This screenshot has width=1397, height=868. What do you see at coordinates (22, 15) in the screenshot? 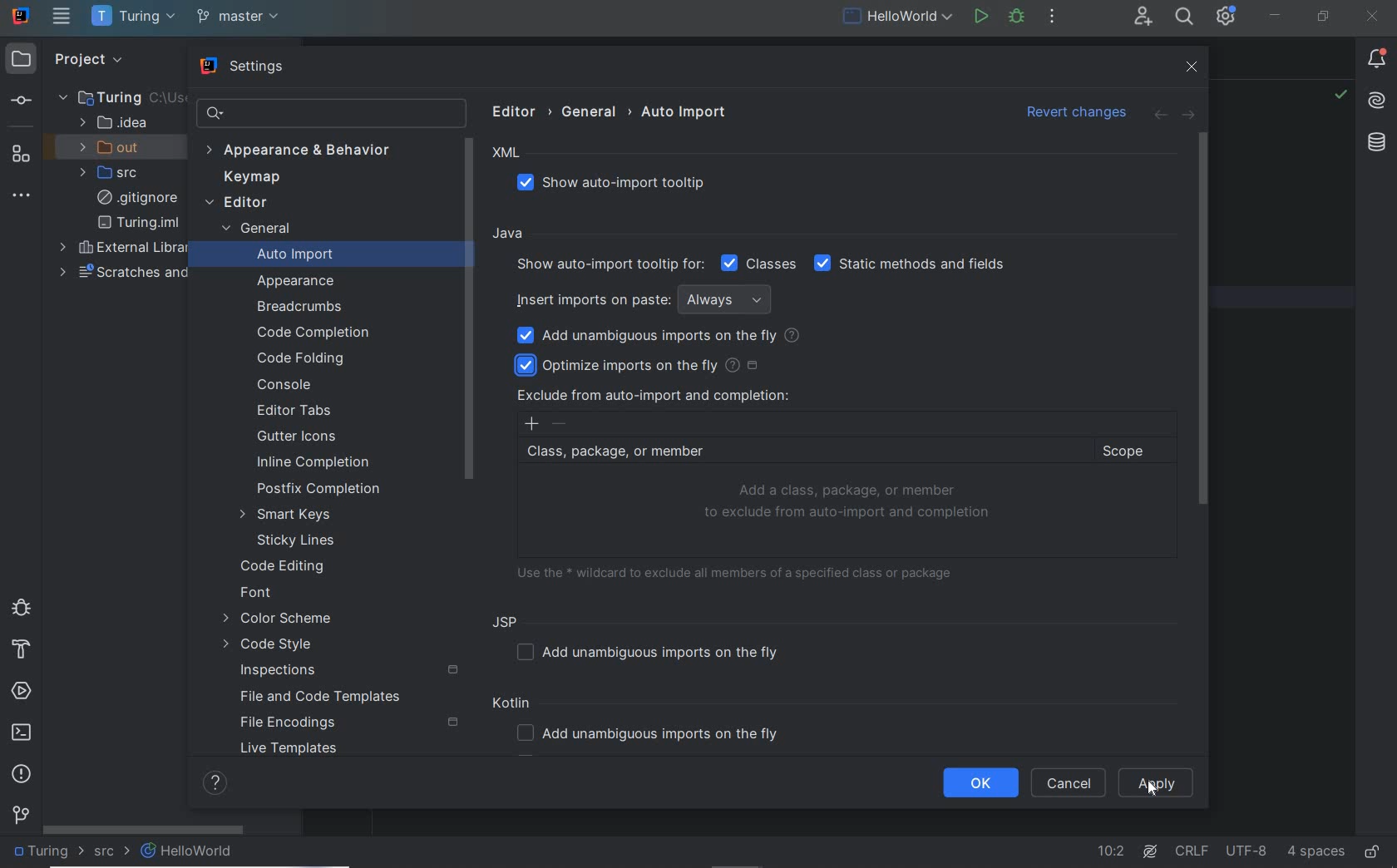
I see `Application logo` at bounding box center [22, 15].